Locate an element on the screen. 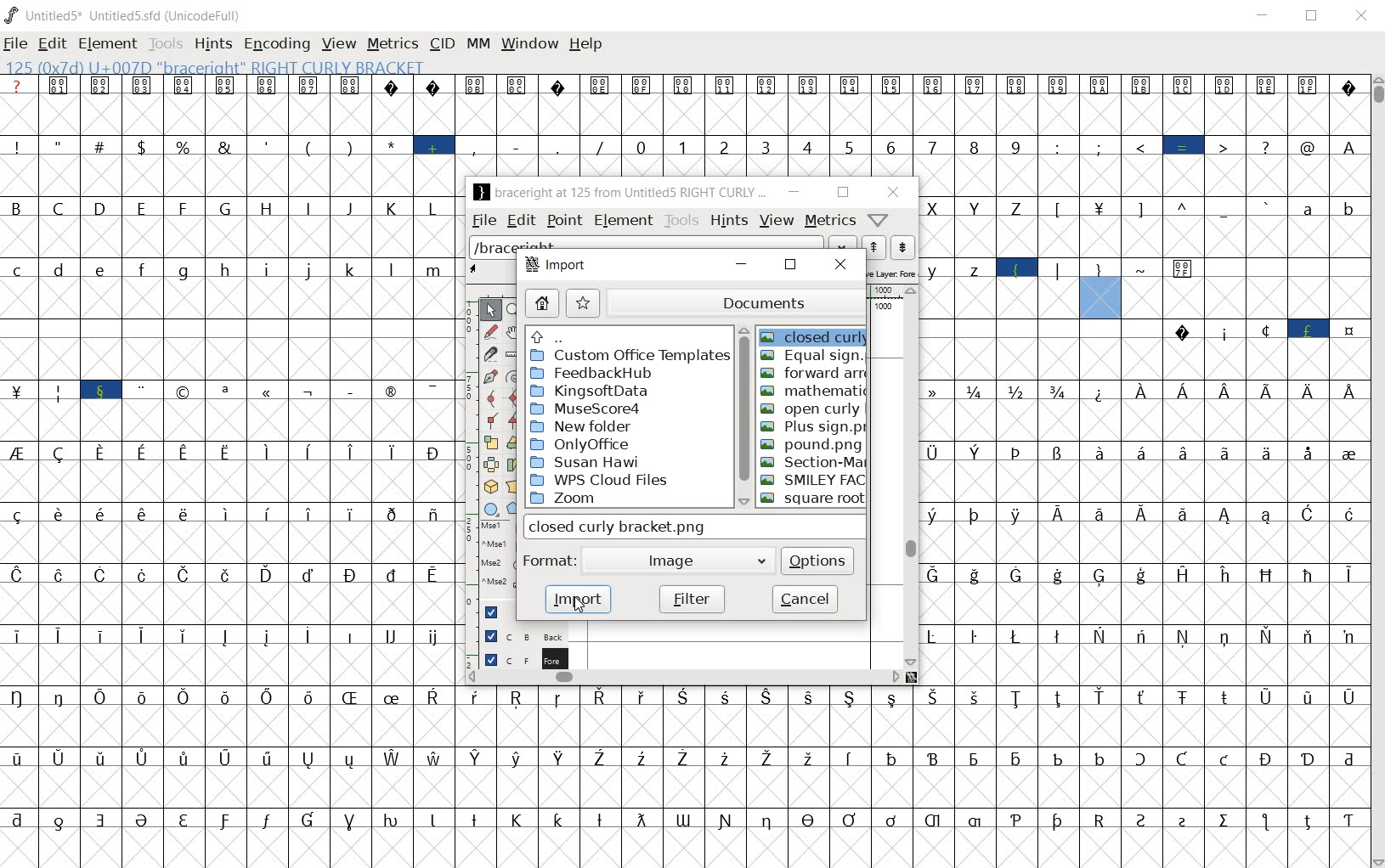 This screenshot has height=868, width=1385. Add a corner point is located at coordinates (512, 420).